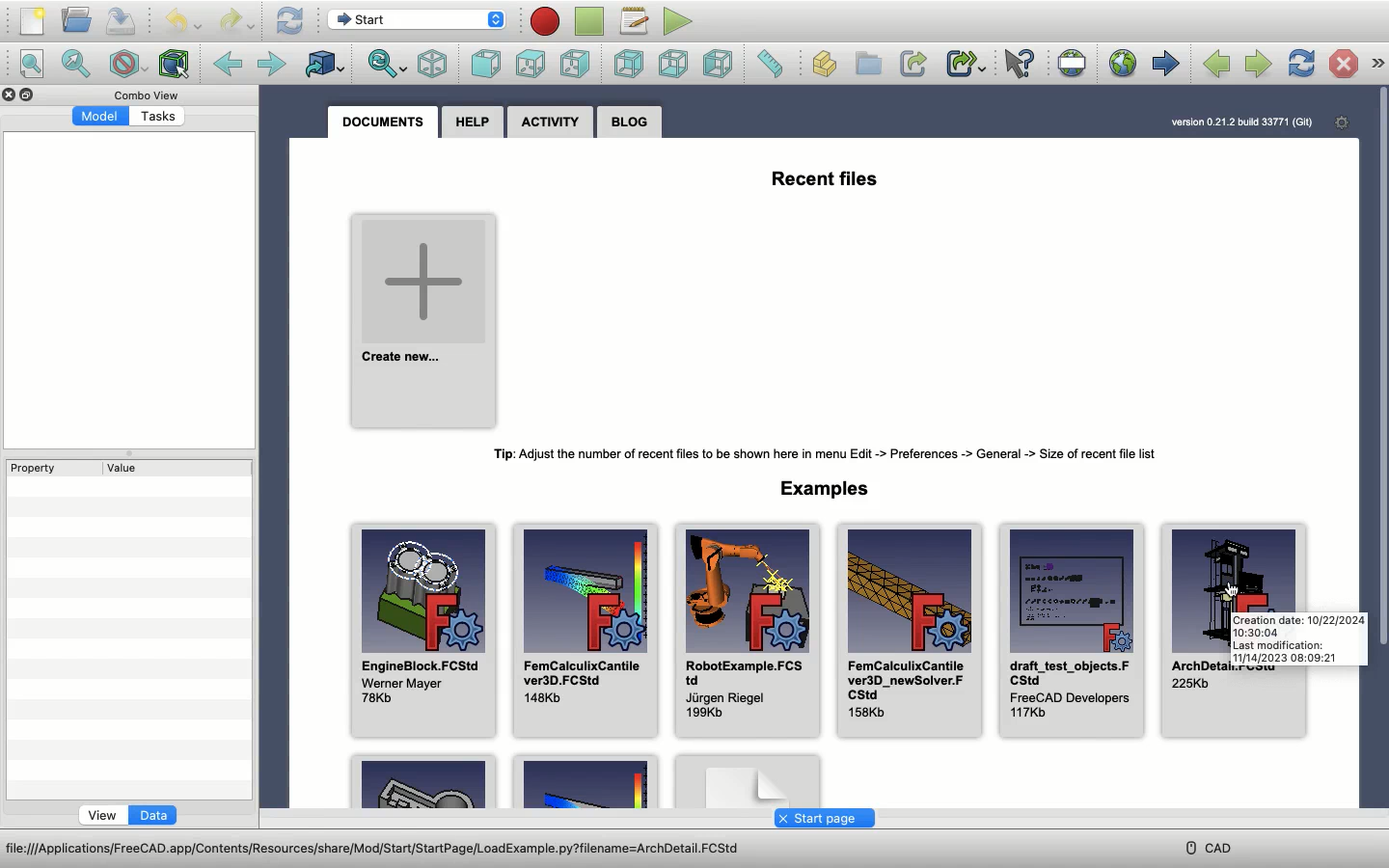 The height and width of the screenshot is (868, 1389). Describe the element at coordinates (123, 20) in the screenshot. I see `Save` at that location.